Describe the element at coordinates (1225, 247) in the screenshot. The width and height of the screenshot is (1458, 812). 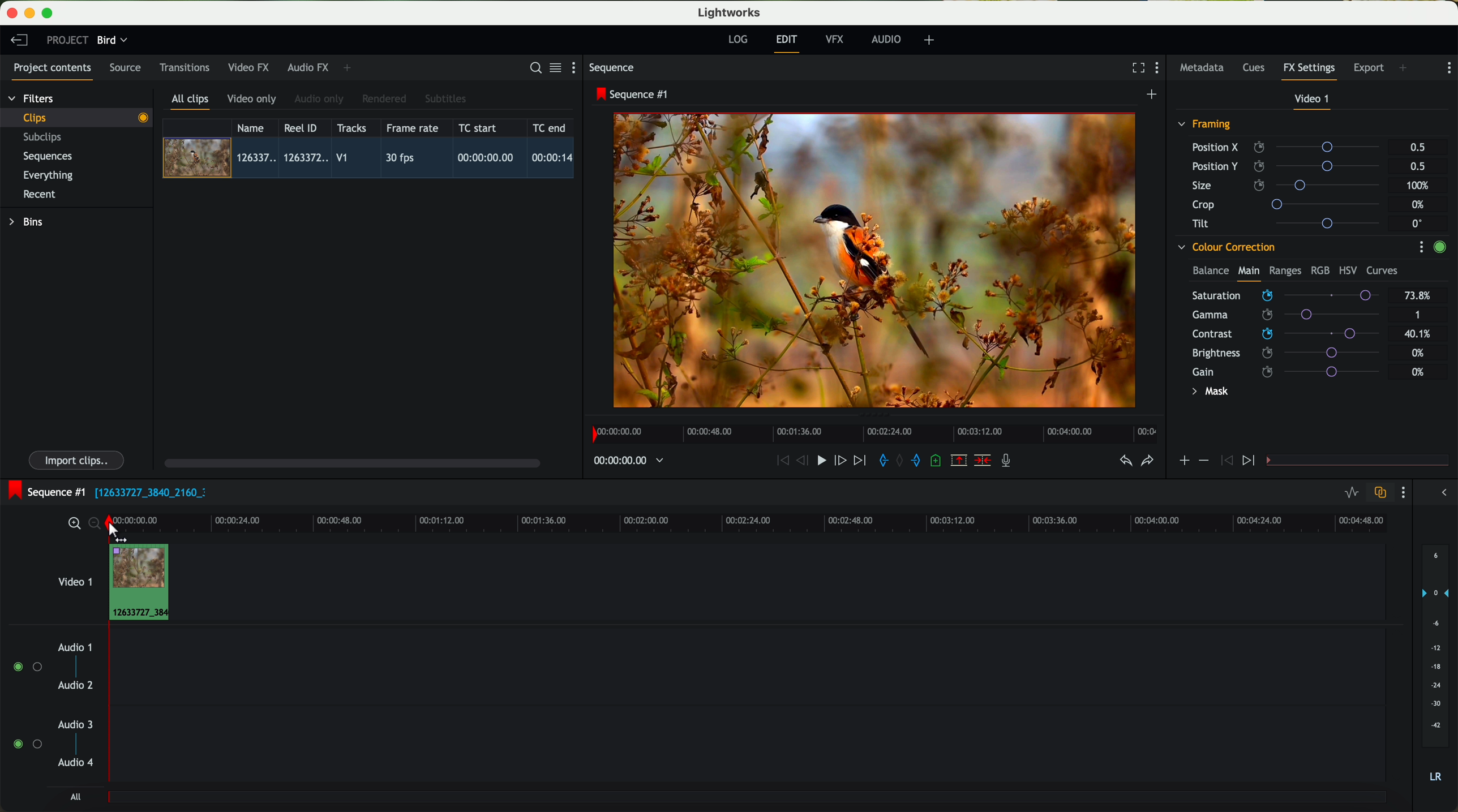
I see `colour correction` at that location.